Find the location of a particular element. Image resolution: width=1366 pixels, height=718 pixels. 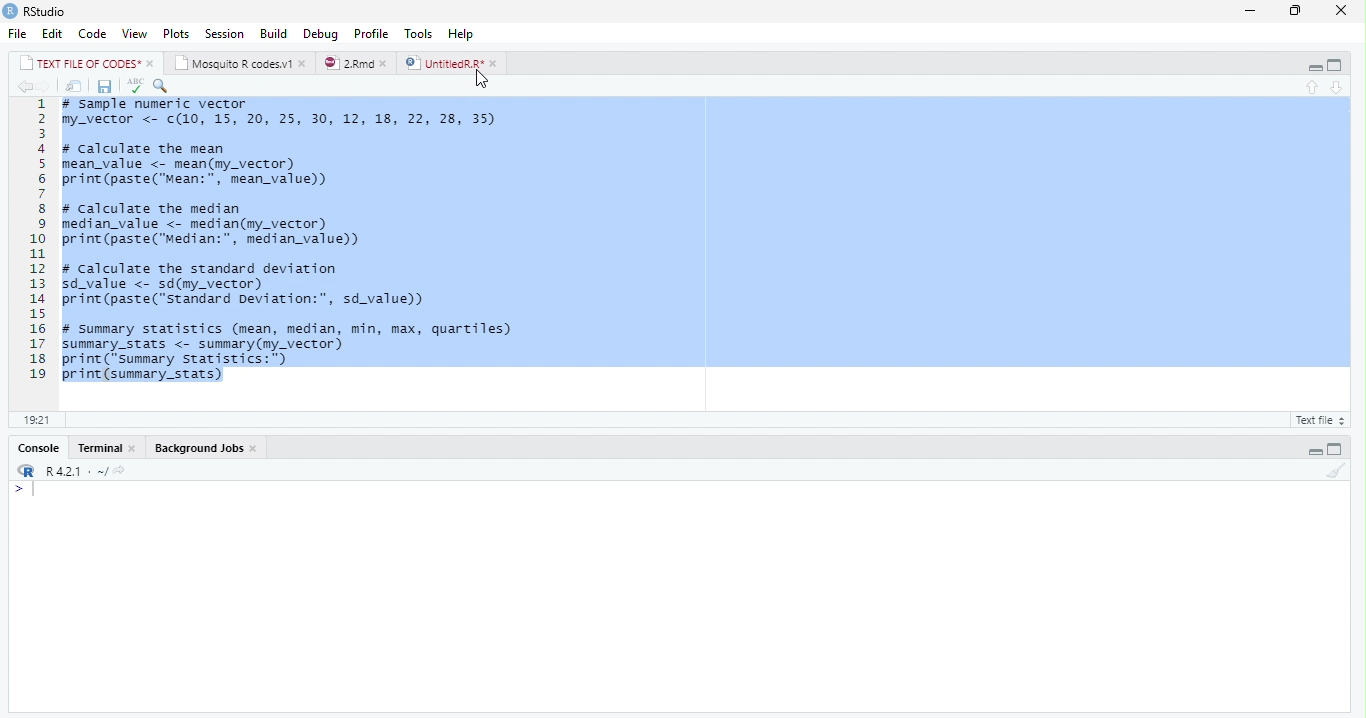

# Sample numeric vector

my_vector <- c(10, 15, 20, 25, 30, 12, 18, 22, 28, 35)
# calculate the mean

nean_value <- mean(my_vector)

print (paste("Mean:", mean_value))

# Calculate the median

nedian_value <- median(ny_vector)

print (paste("Median:”, median_value)

# Calculate the standard deviation

sd_value <- sd(my_vector)

print (paste("standard peviation:", sd_value)

4 summary statistics (mean, median, min, max, quartiles)
summary_stats <- summary(my_vector)

print ("Summary statistics:")

print (summary_stats) is located at coordinates (292, 241).